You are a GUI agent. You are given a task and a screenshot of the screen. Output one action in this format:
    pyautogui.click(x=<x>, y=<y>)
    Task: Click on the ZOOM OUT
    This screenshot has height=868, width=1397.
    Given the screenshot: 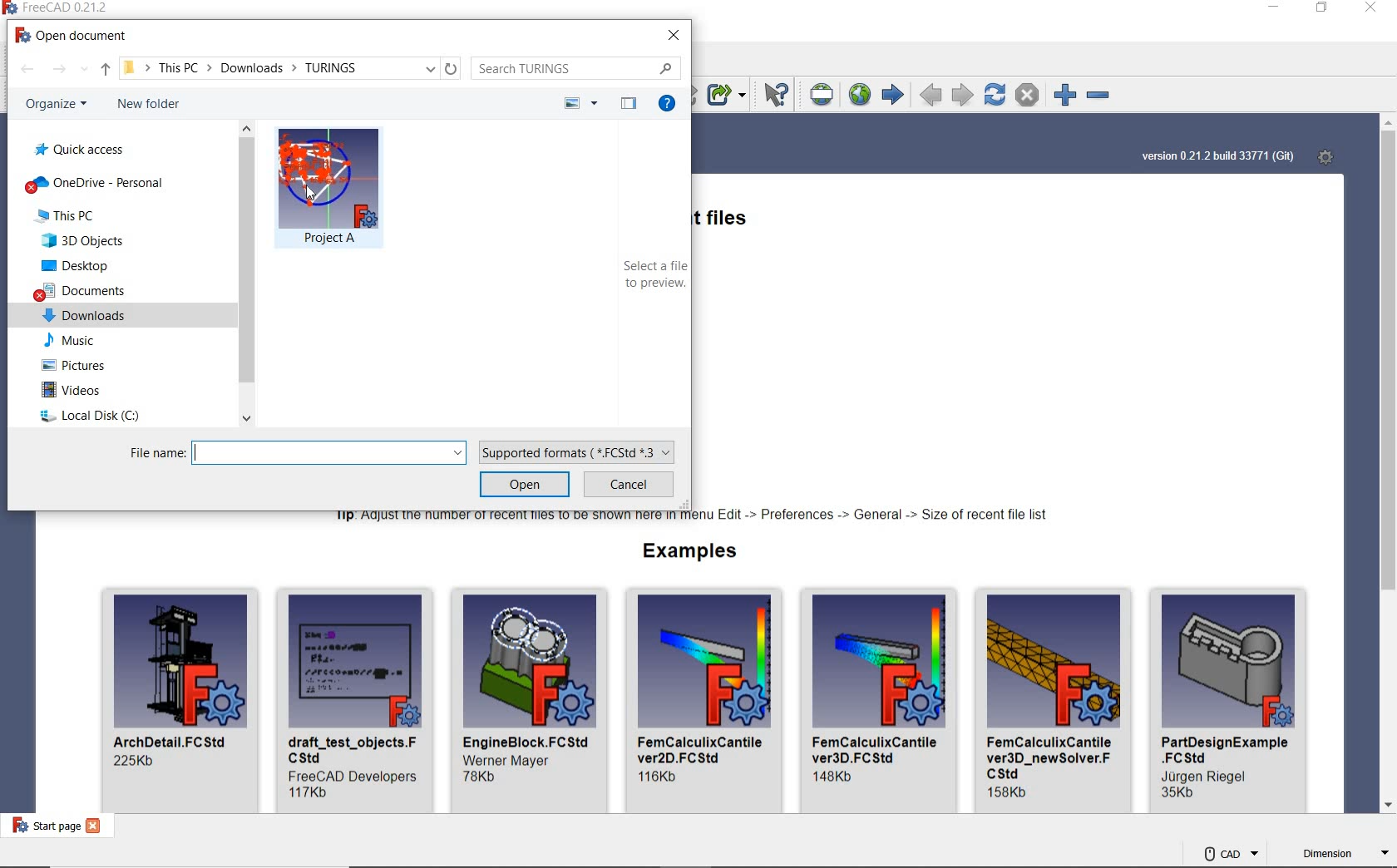 What is the action you would take?
    pyautogui.click(x=1101, y=96)
    